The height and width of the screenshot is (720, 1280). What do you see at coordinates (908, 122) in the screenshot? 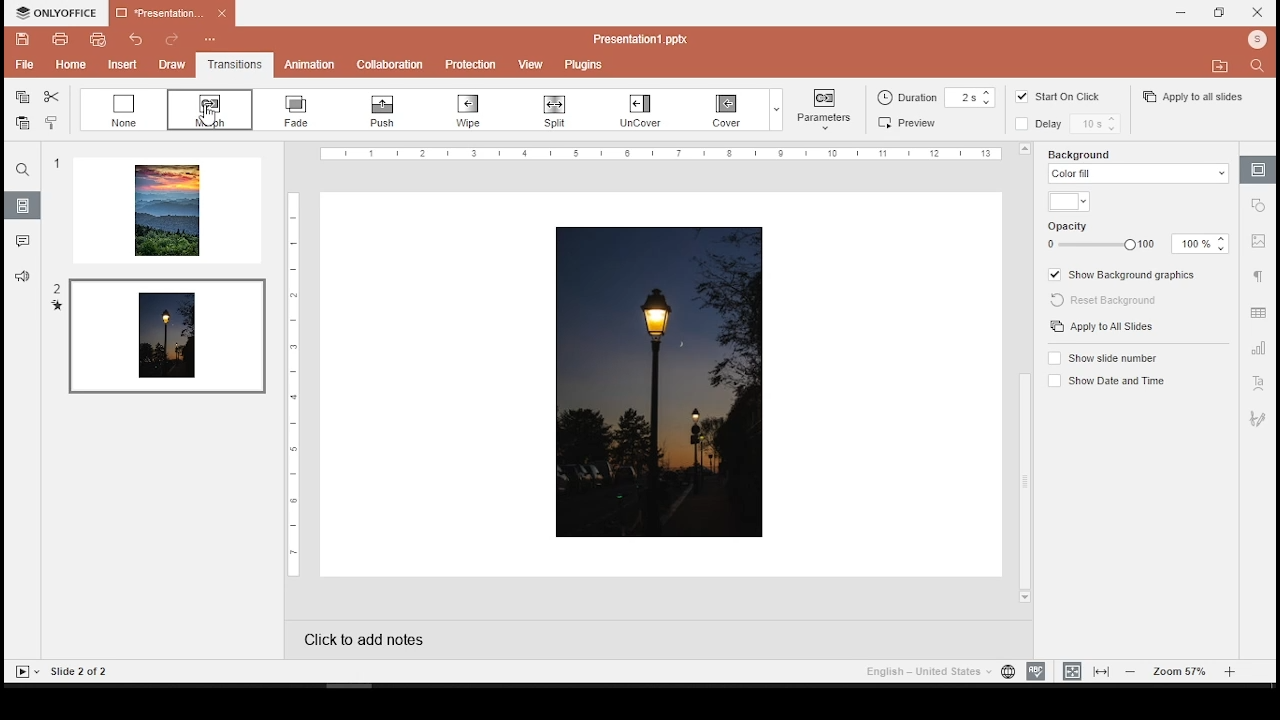
I see `align shapes` at bounding box center [908, 122].